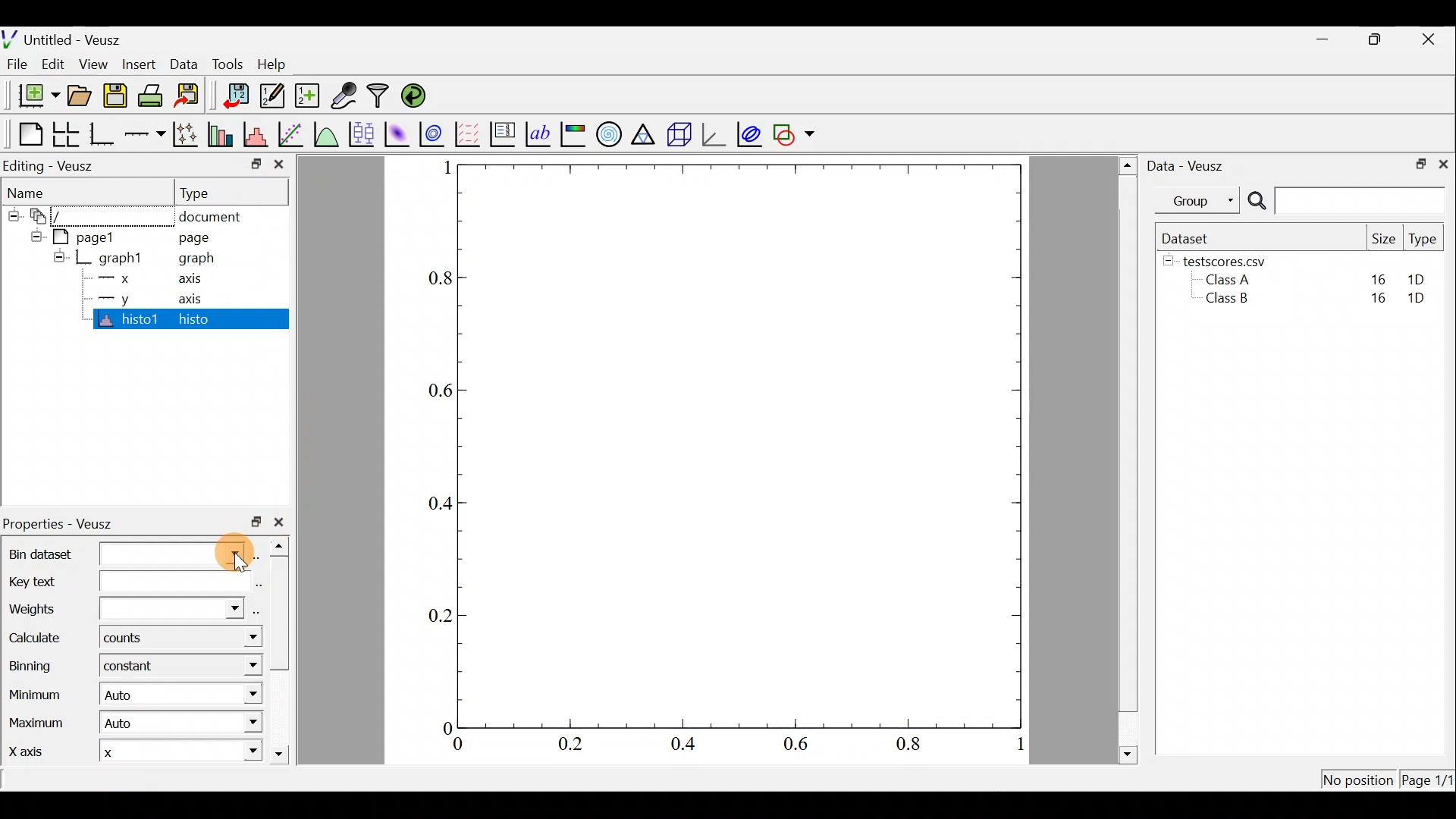  I want to click on graph1, so click(113, 257).